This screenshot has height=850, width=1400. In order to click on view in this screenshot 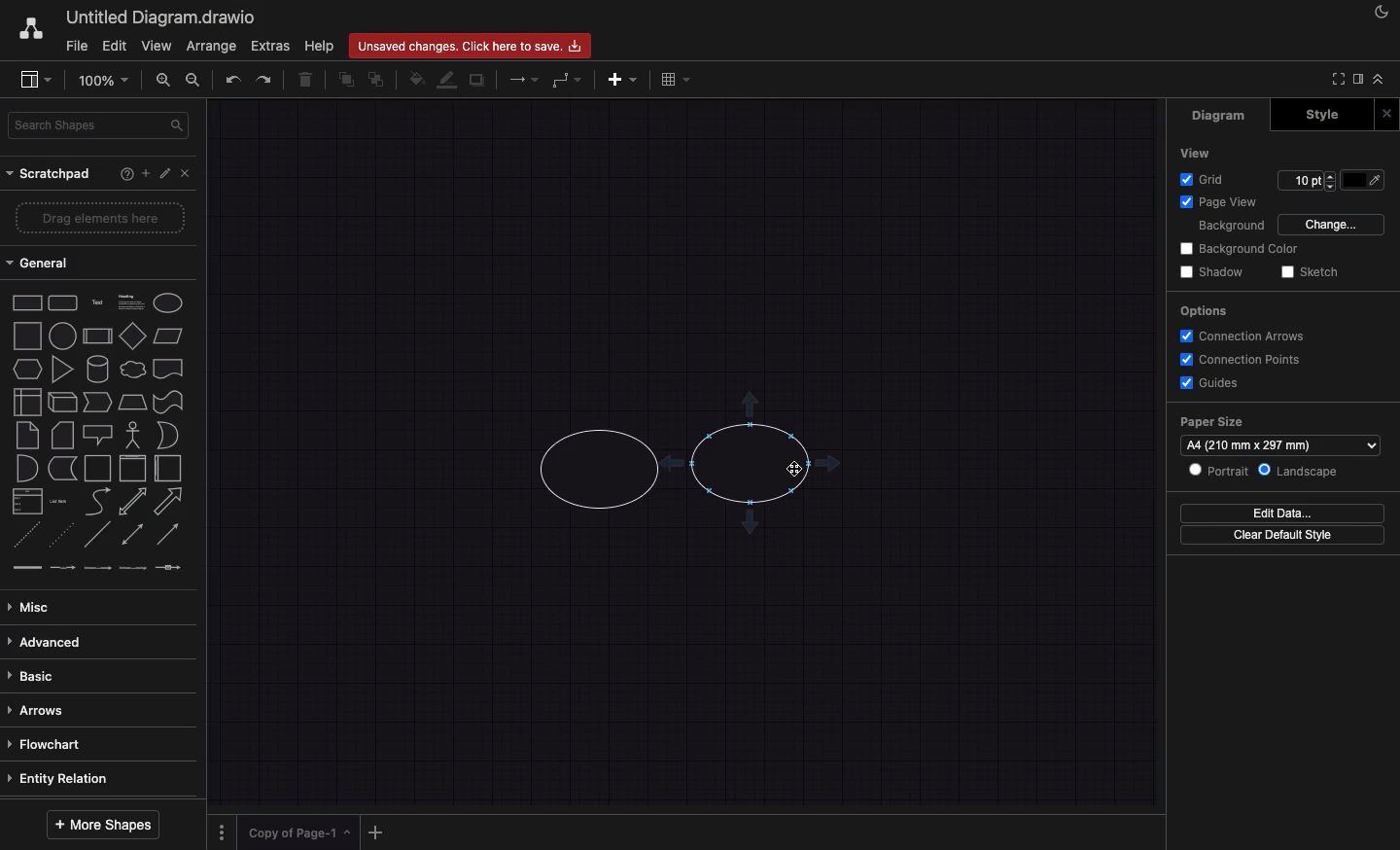, I will do `click(33, 81)`.